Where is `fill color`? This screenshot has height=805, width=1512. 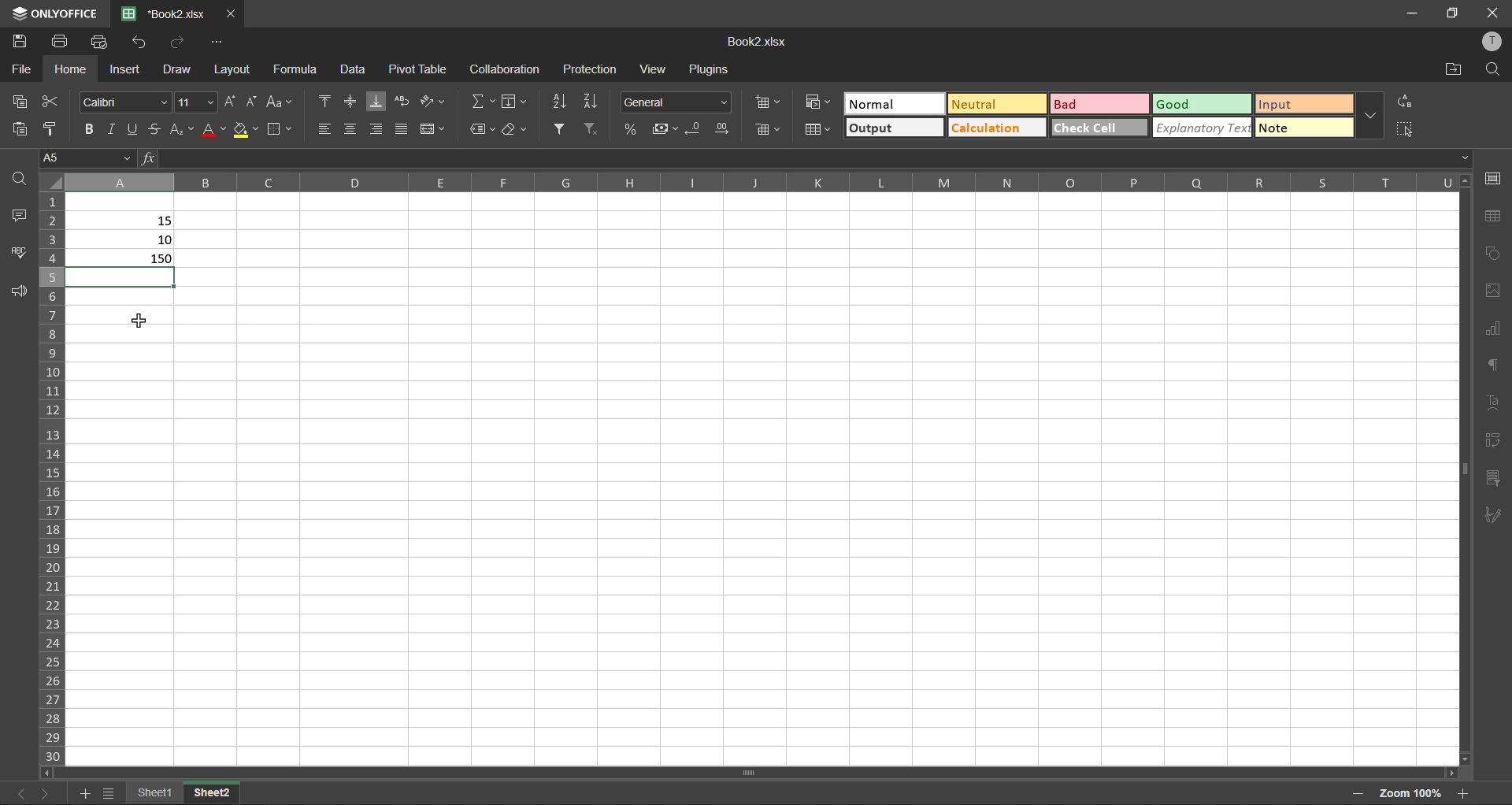 fill color is located at coordinates (245, 129).